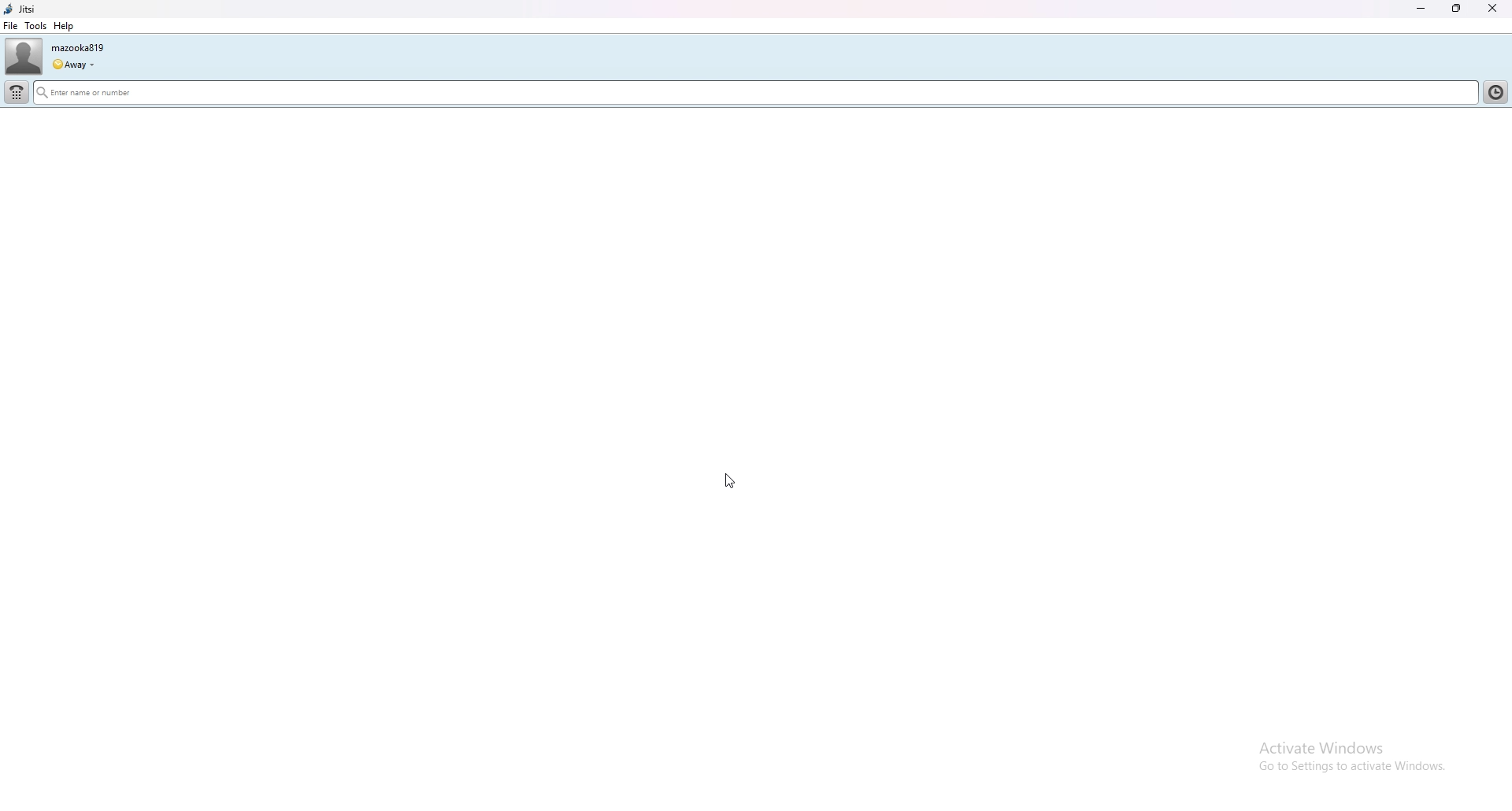 The width and height of the screenshot is (1512, 811). Describe the element at coordinates (1496, 91) in the screenshot. I see `contact list` at that location.